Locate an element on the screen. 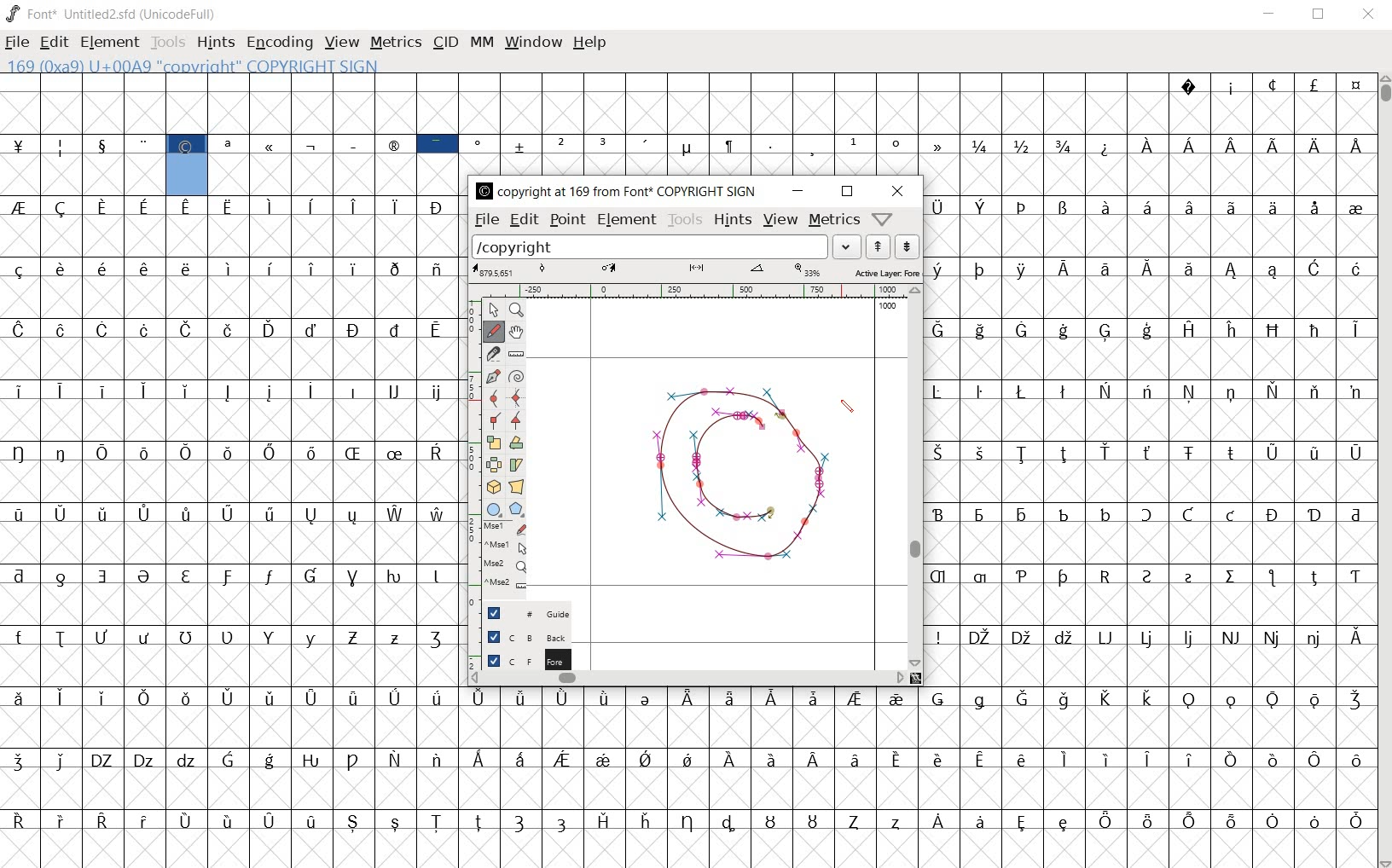  load word list is located at coordinates (665, 246).